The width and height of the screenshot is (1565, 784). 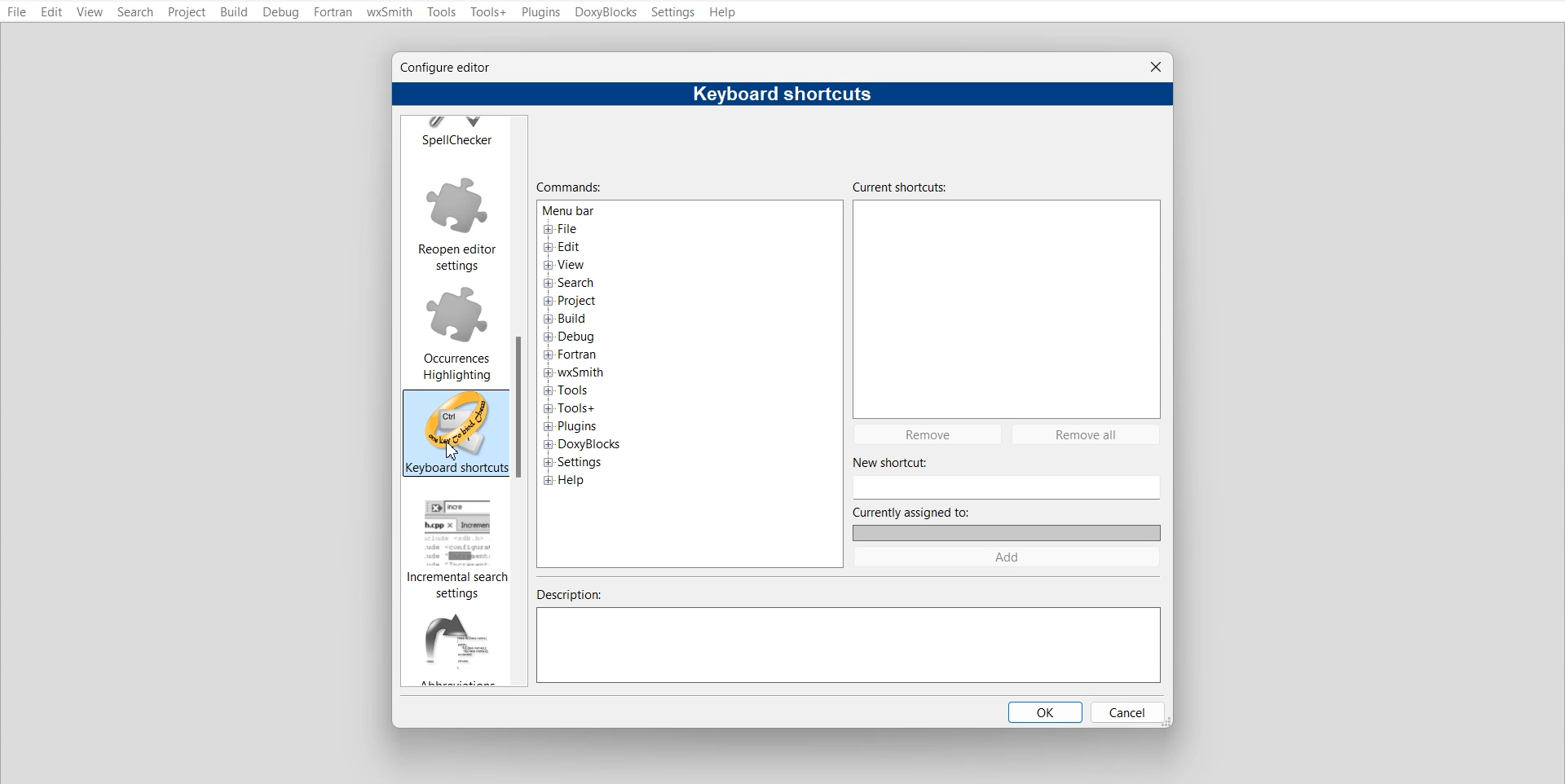 What do you see at coordinates (186, 12) in the screenshot?
I see `Project` at bounding box center [186, 12].